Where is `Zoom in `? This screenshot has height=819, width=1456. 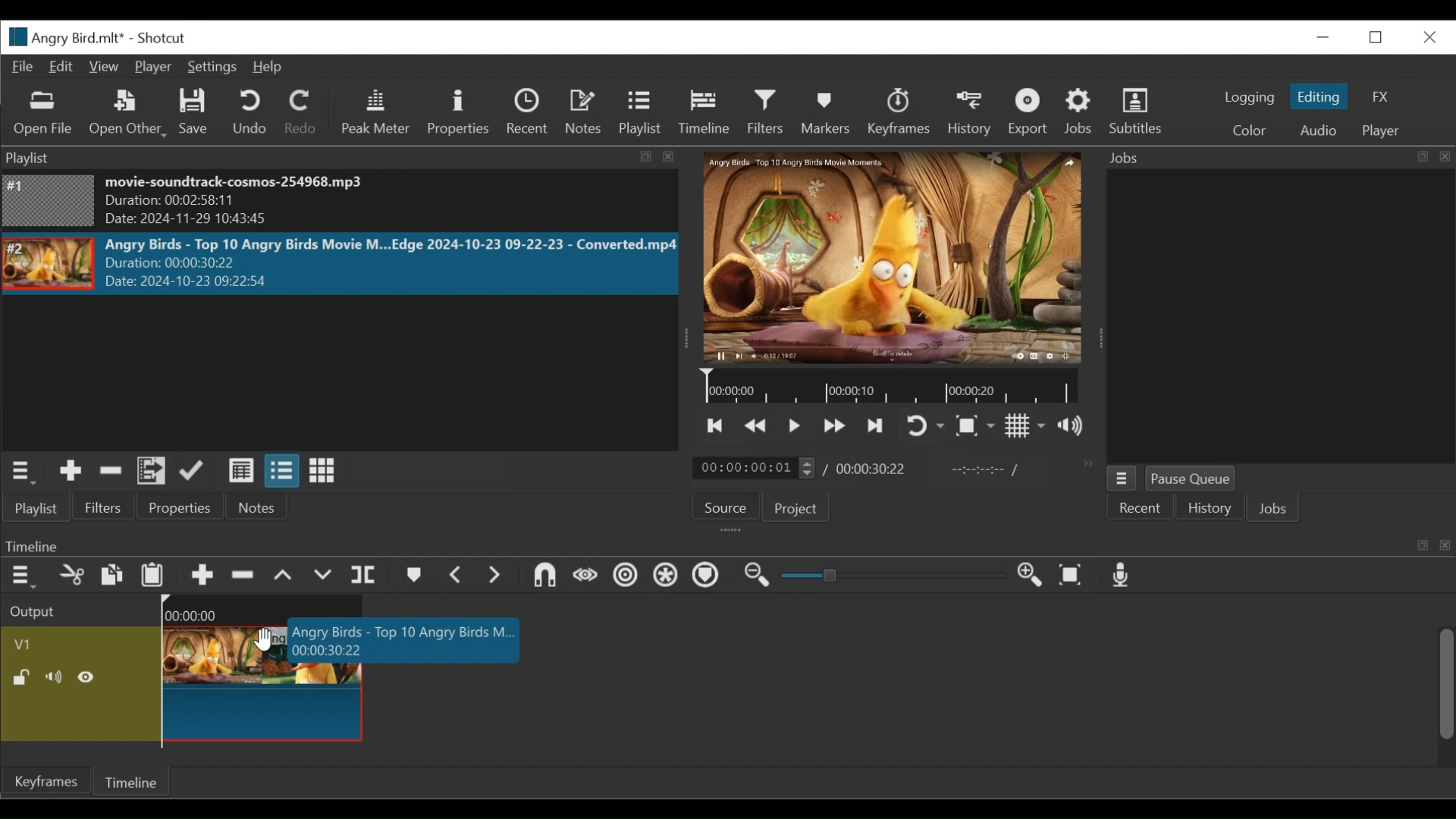 Zoom in  is located at coordinates (1035, 576).